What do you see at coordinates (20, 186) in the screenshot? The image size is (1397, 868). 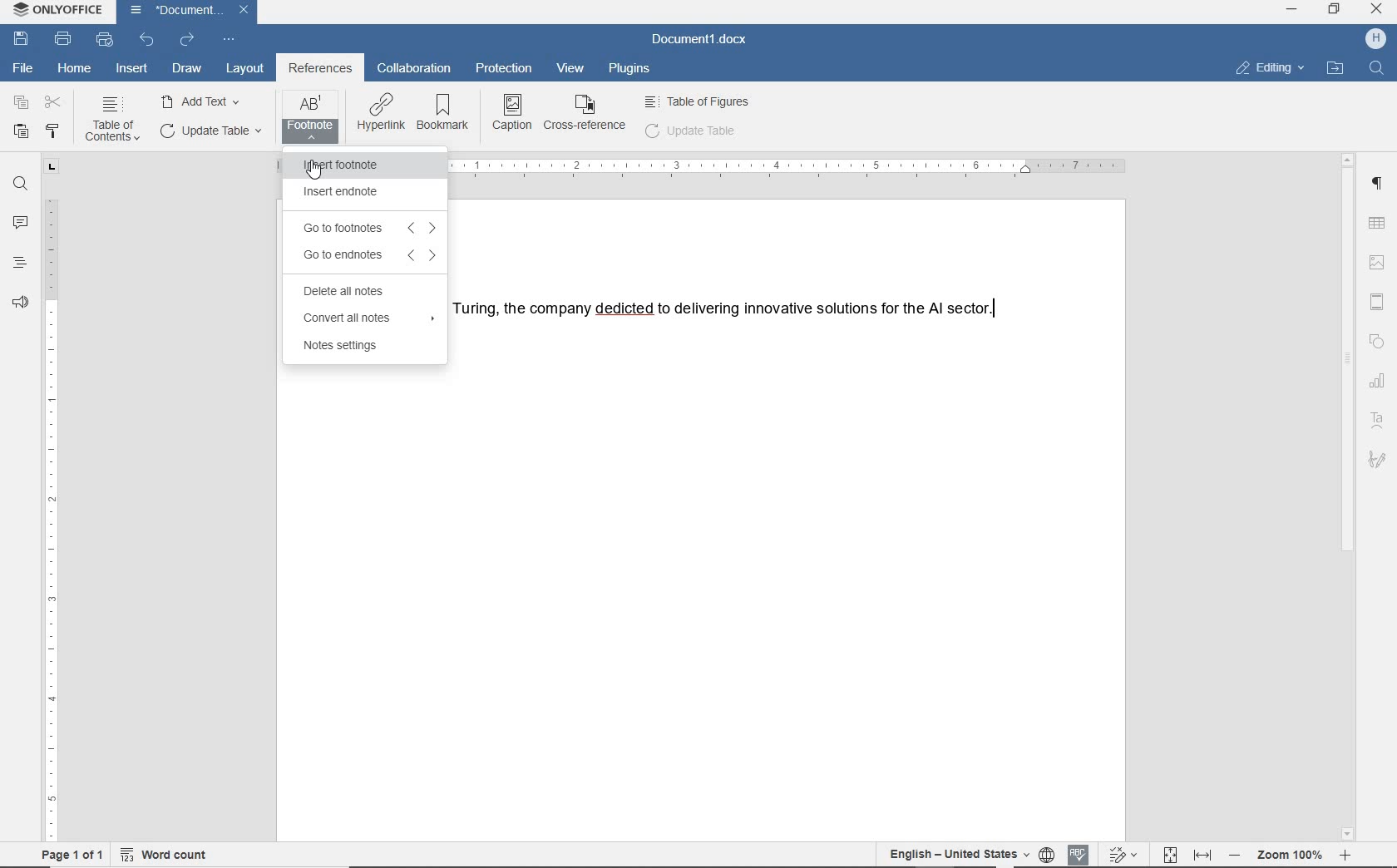 I see `find and replace` at bounding box center [20, 186].